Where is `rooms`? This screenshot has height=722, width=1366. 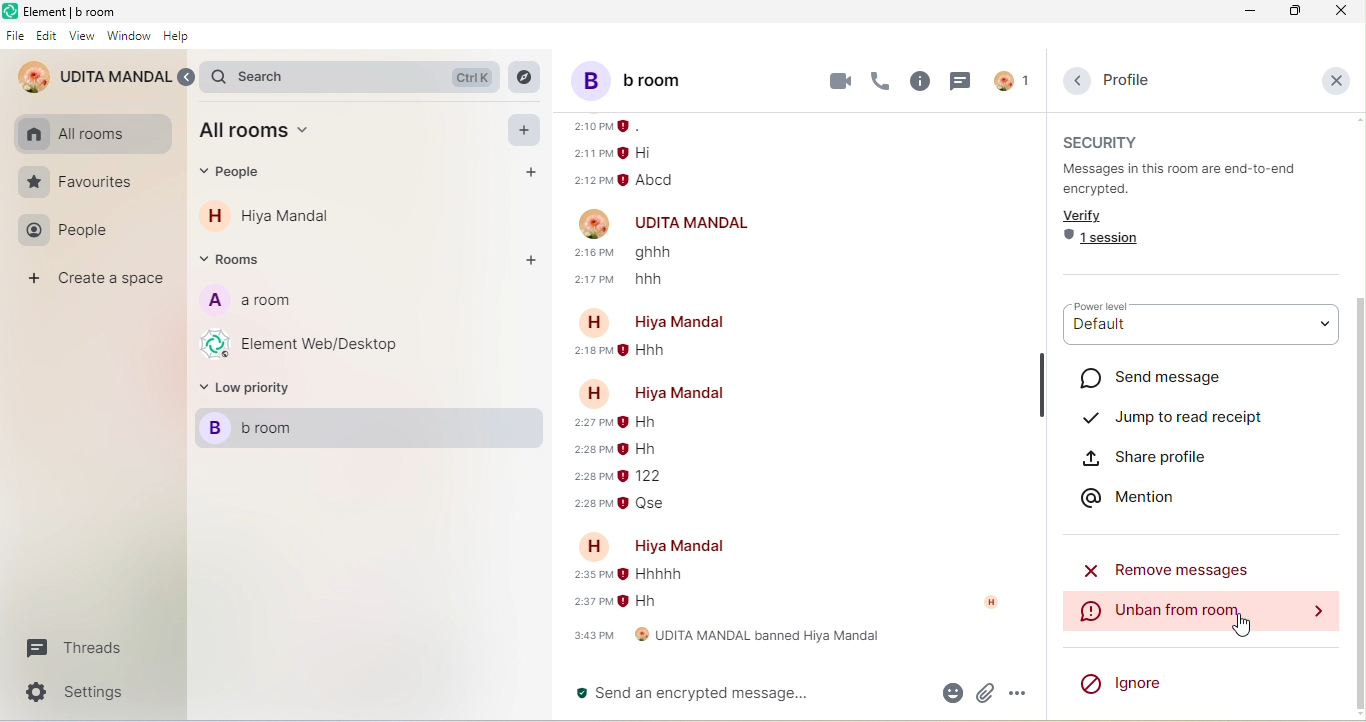
rooms is located at coordinates (238, 260).